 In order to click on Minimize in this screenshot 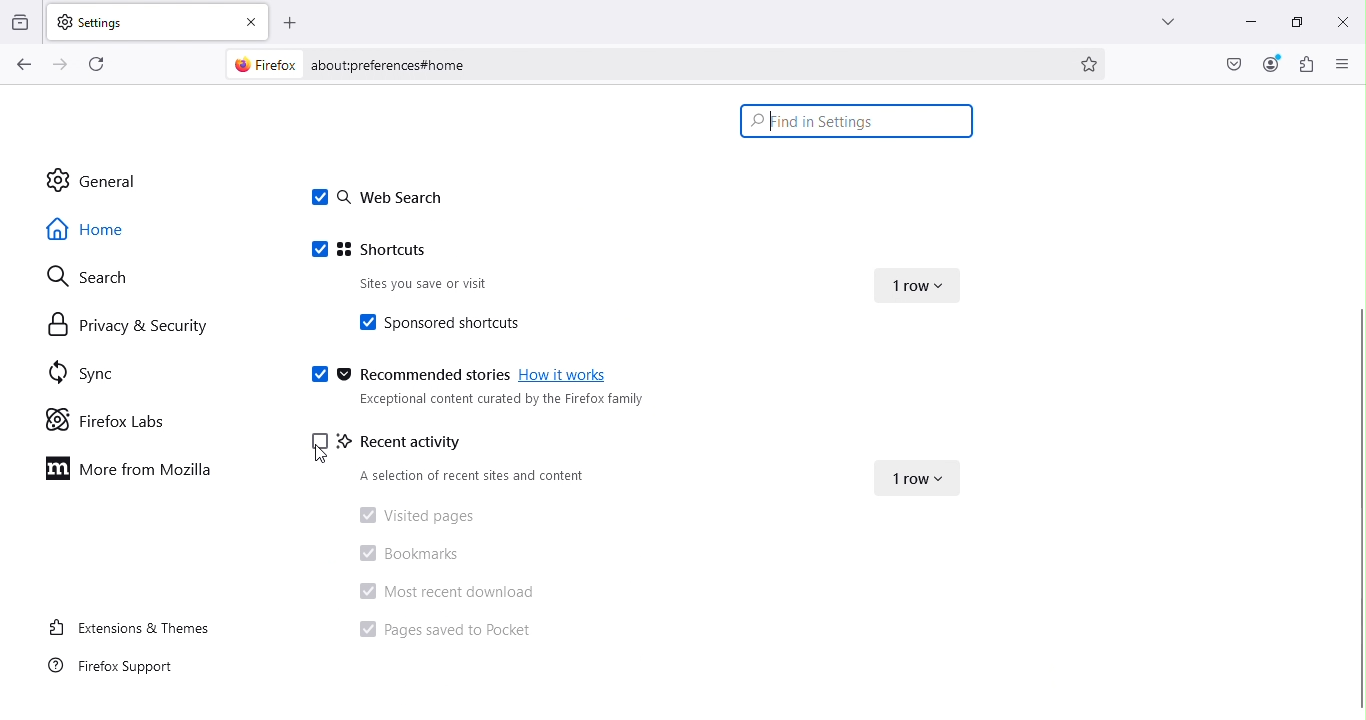, I will do `click(1241, 19)`.